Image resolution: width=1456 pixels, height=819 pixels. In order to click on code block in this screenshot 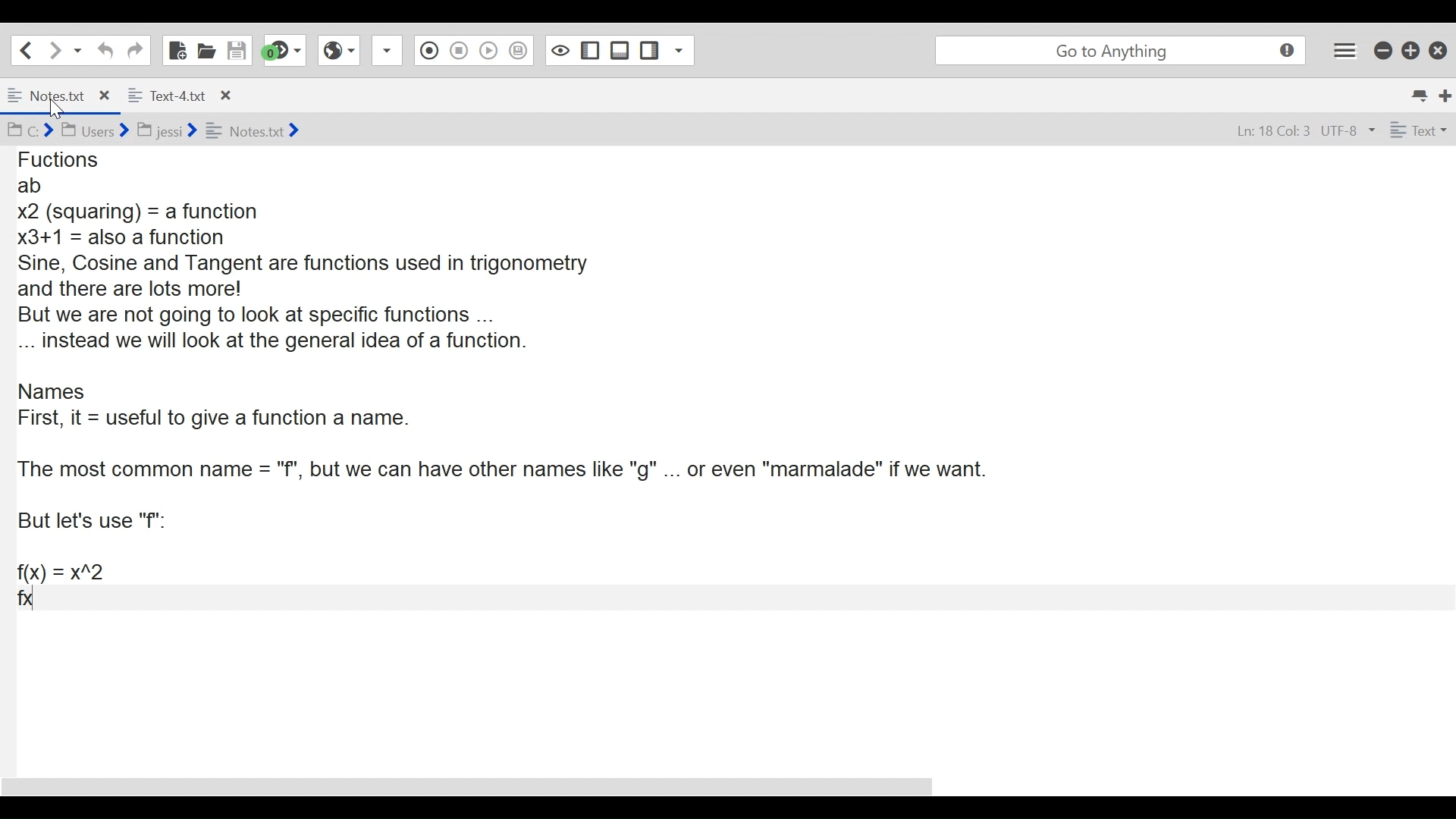, I will do `click(721, 414)`.